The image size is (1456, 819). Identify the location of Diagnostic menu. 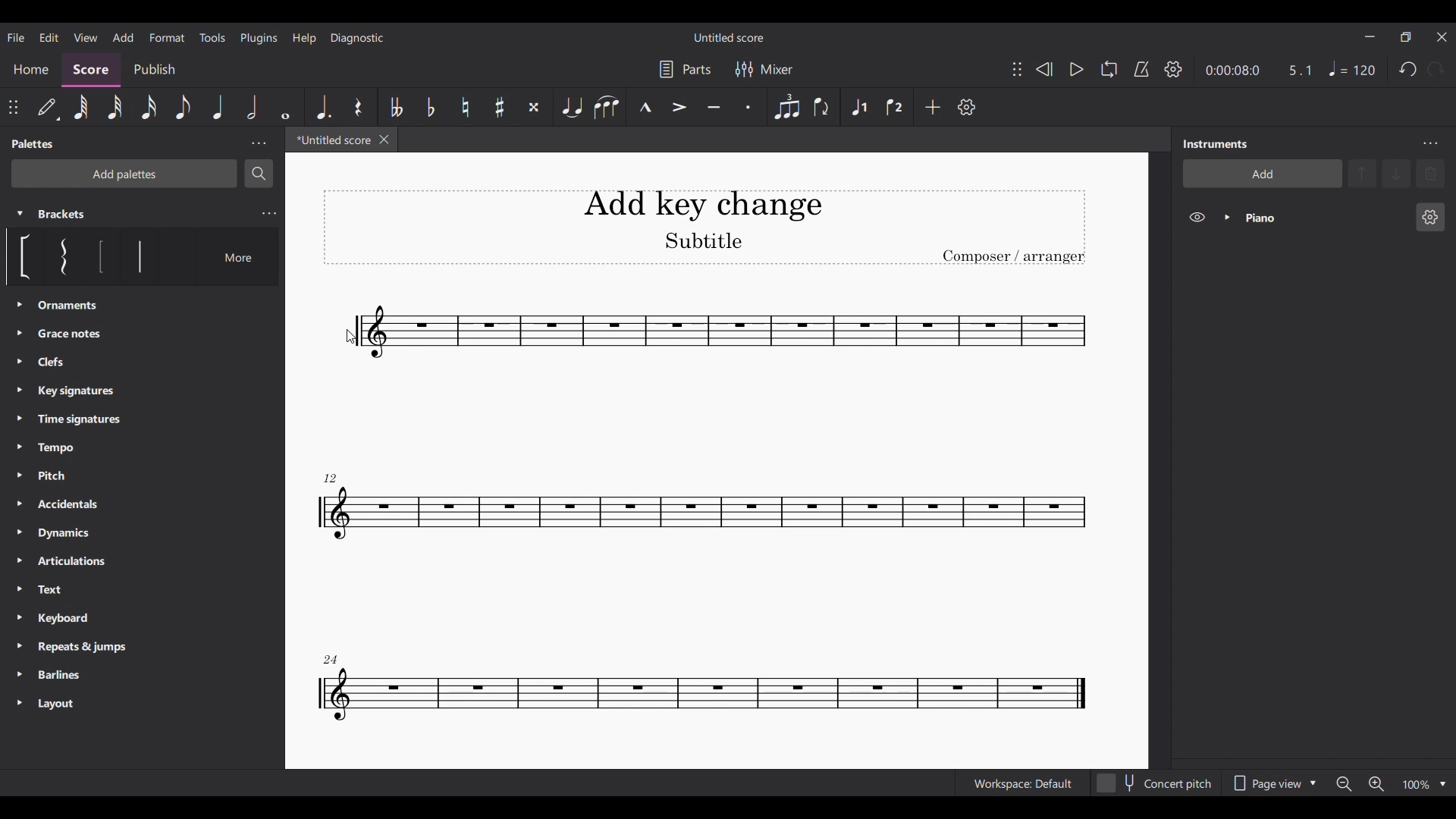
(358, 39).